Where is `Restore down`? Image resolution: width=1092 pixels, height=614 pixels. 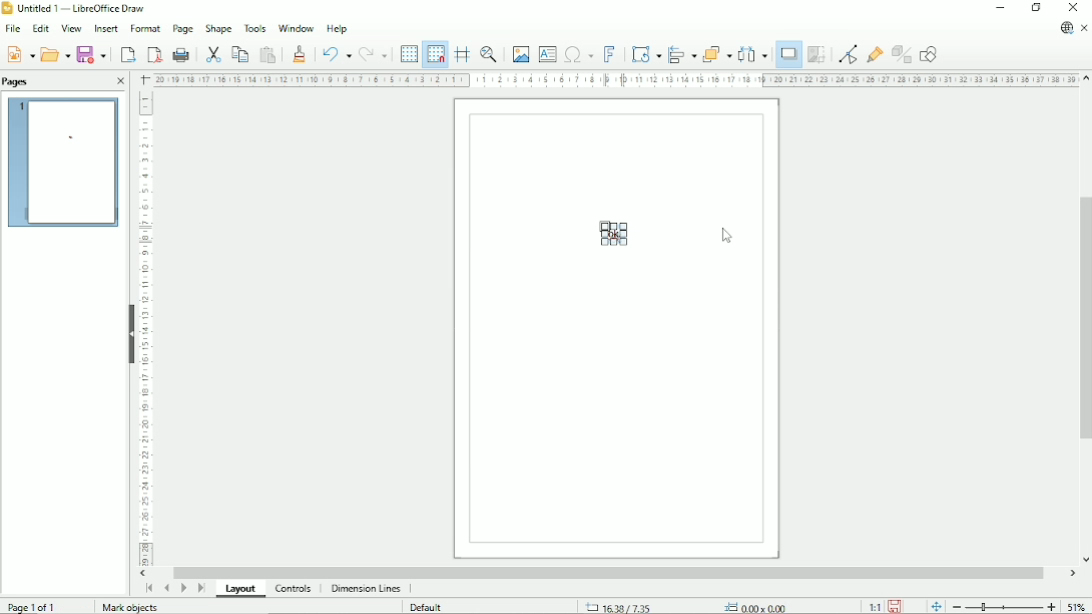 Restore down is located at coordinates (1036, 7).